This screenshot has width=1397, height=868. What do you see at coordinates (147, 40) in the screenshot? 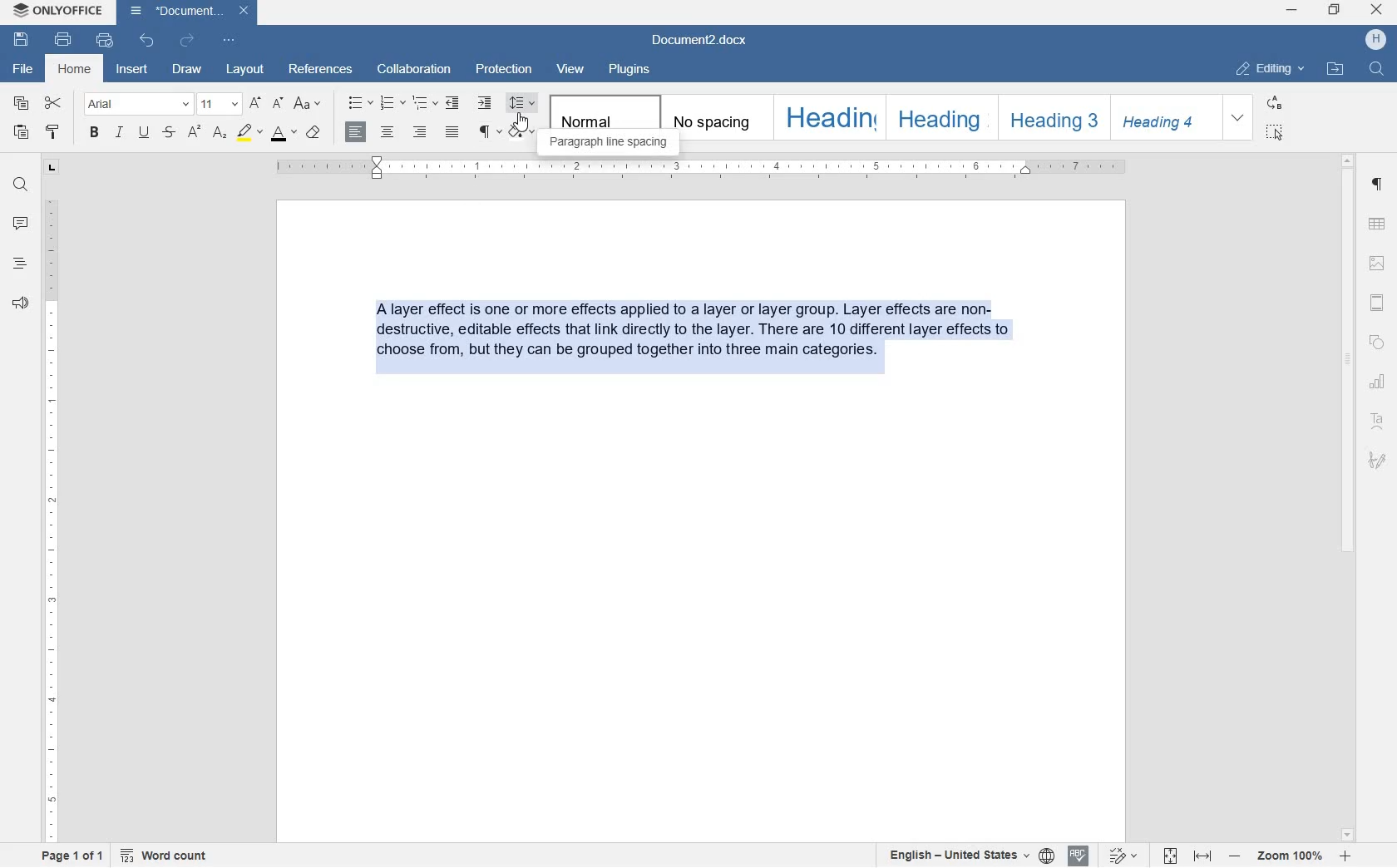
I see `undo` at bounding box center [147, 40].